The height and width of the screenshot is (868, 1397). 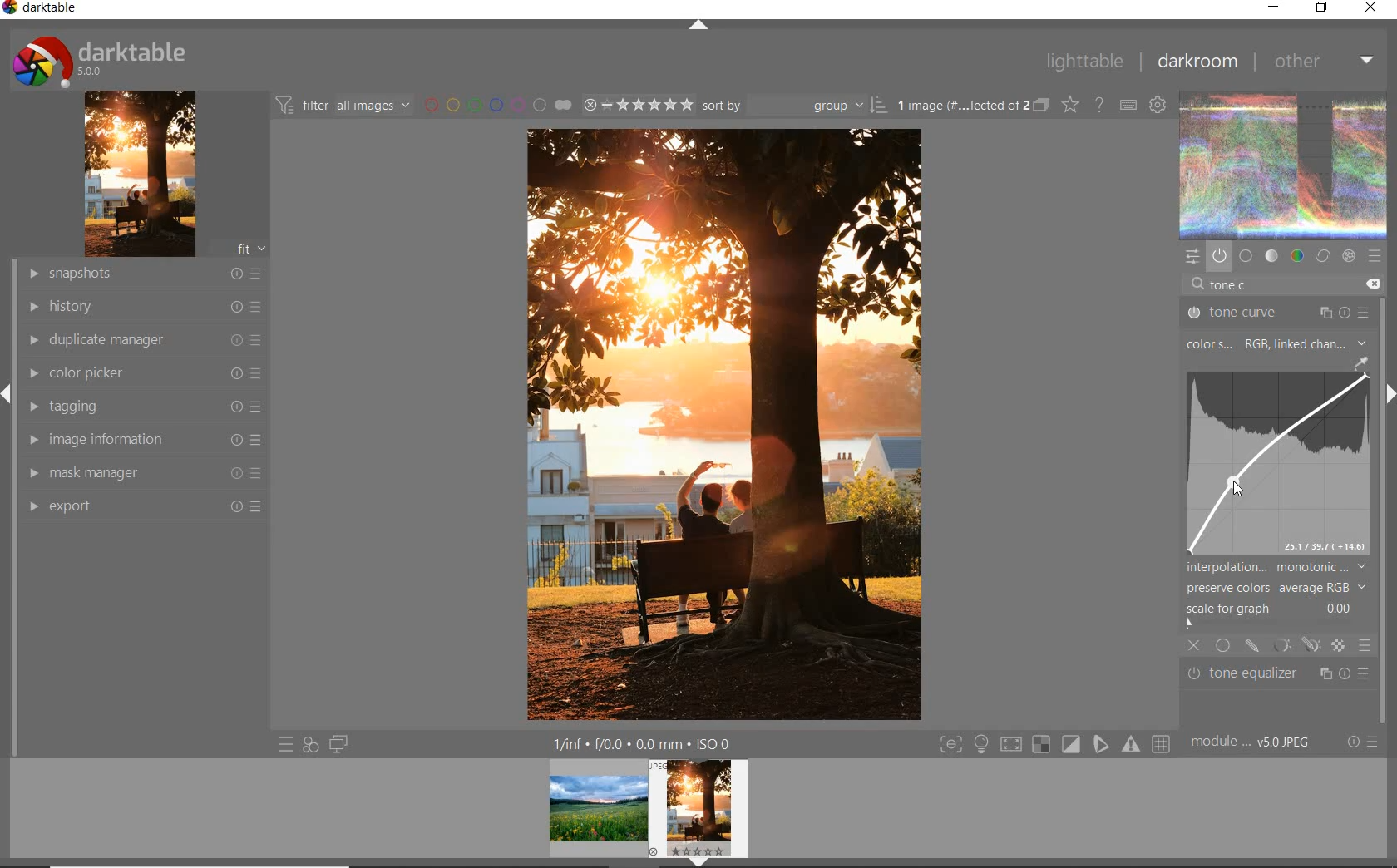 What do you see at coordinates (1271, 7) in the screenshot?
I see `minimize` at bounding box center [1271, 7].